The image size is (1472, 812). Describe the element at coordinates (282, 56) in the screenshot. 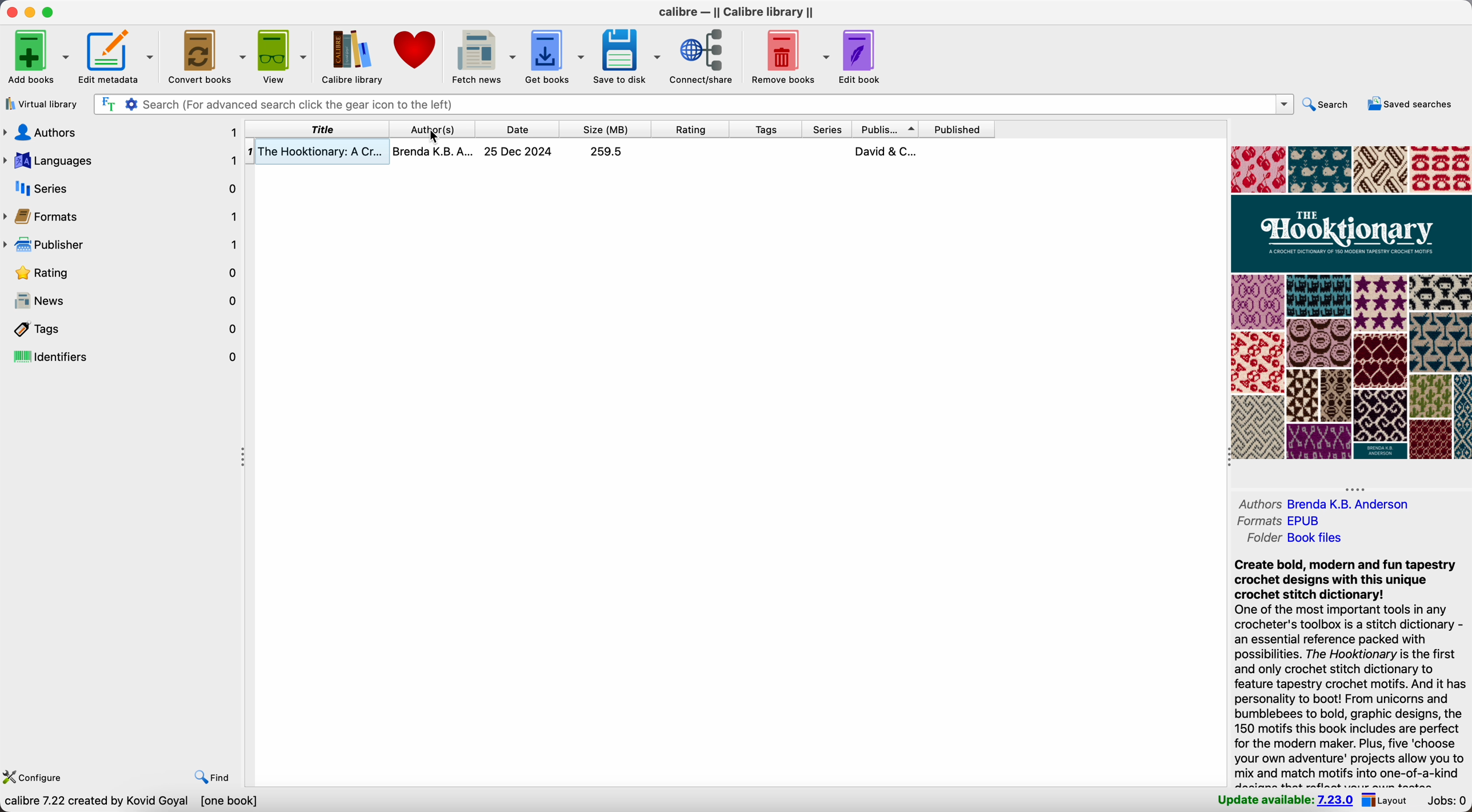

I see `view` at that location.